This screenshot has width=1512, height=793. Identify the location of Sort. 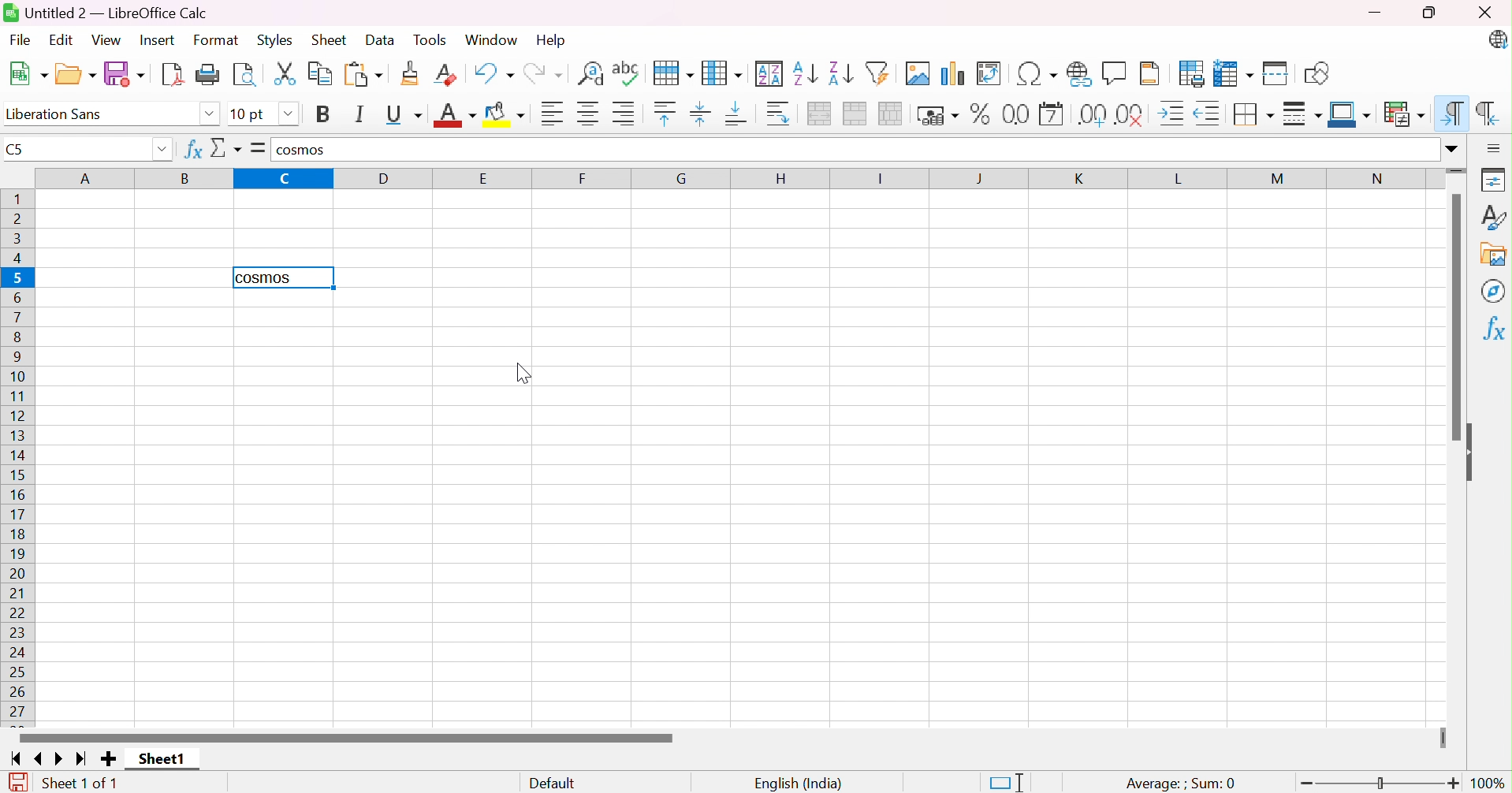
(771, 72).